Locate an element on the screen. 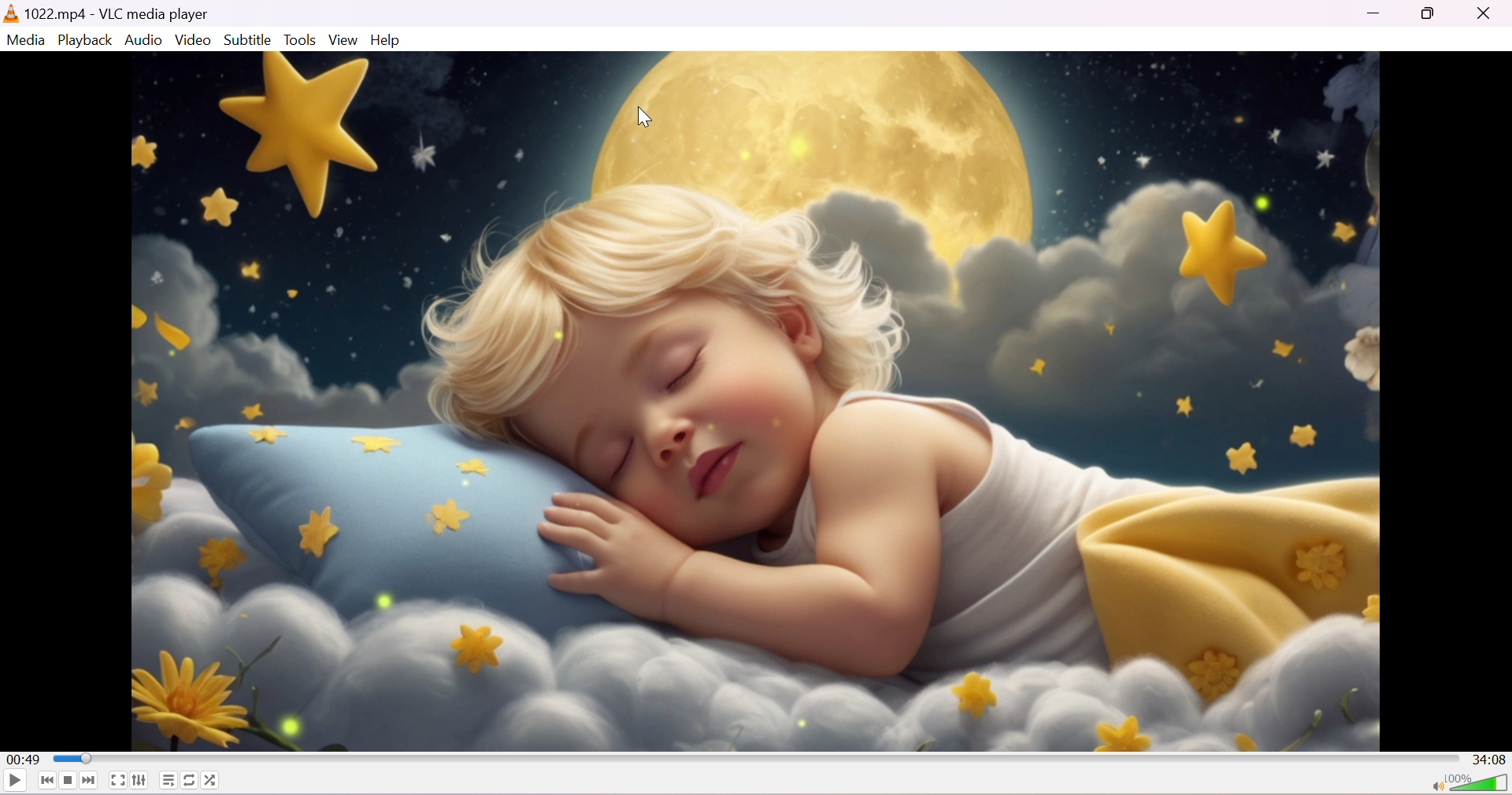 The height and width of the screenshot is (795, 1512). 34:08 is located at coordinates (1492, 760).